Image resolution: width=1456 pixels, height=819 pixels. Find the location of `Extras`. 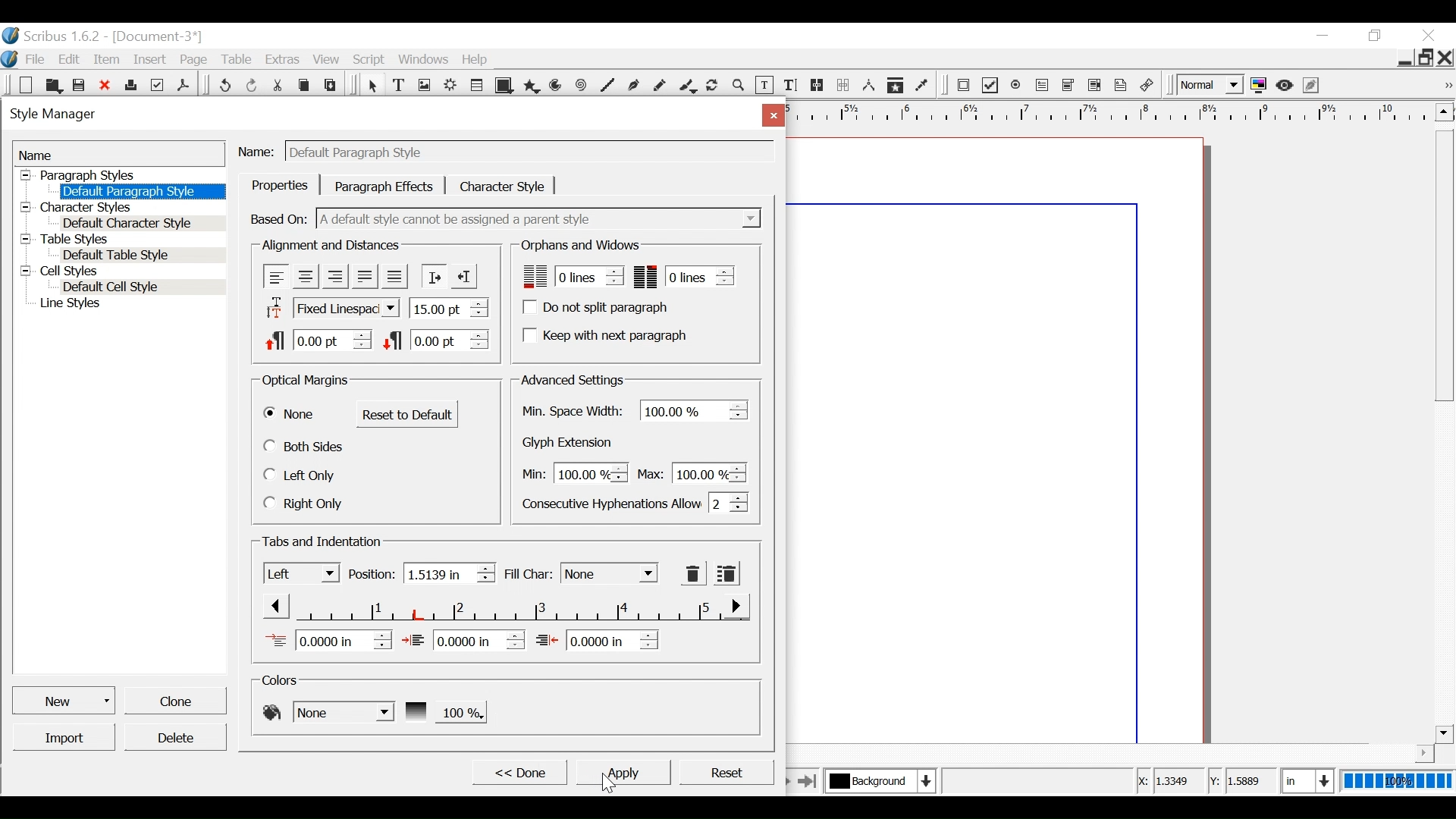

Extras is located at coordinates (281, 59).